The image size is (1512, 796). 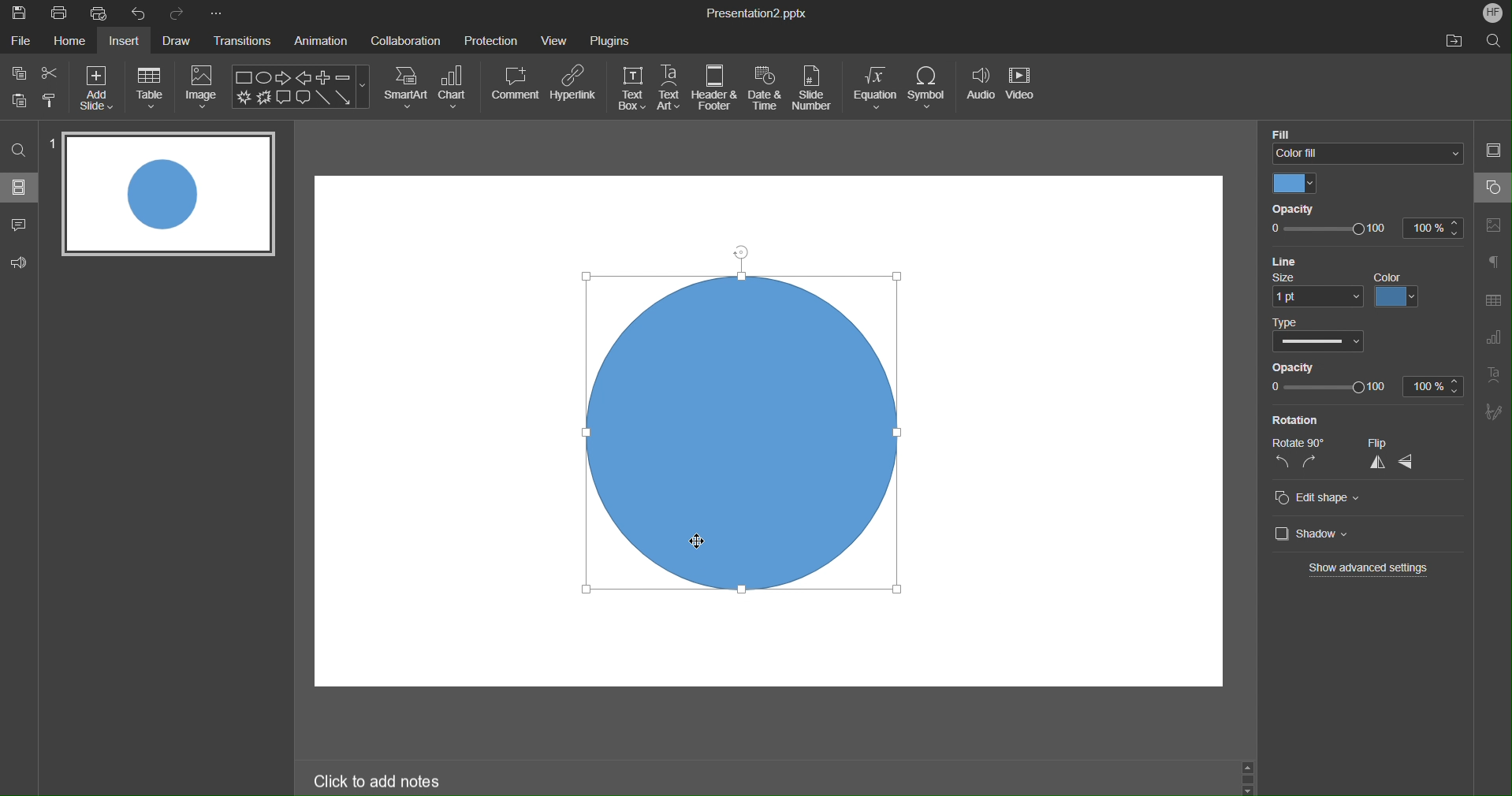 What do you see at coordinates (1495, 223) in the screenshot?
I see `Image Settings` at bounding box center [1495, 223].